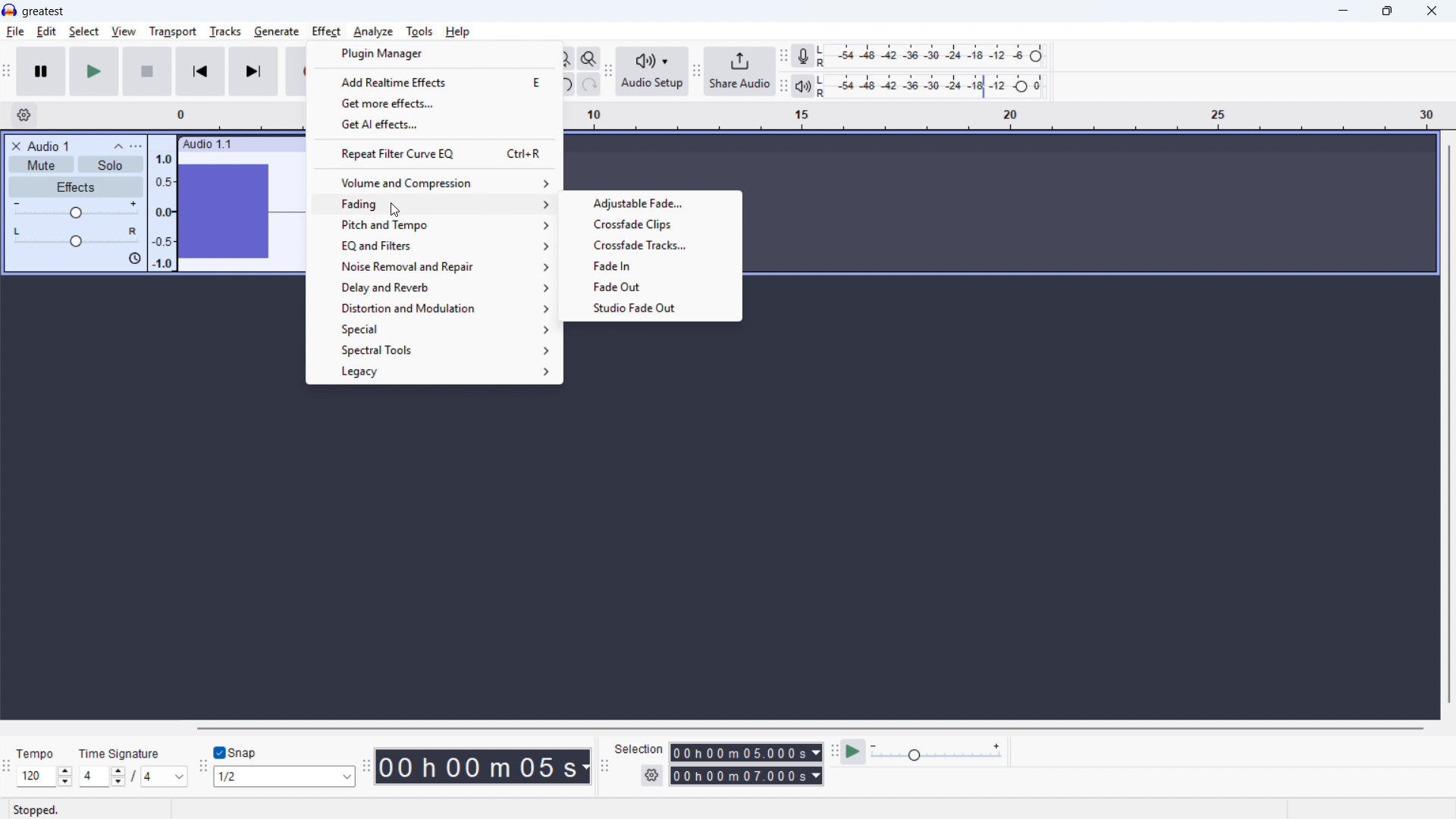 The width and height of the screenshot is (1456, 819). I want to click on close , so click(1431, 11).